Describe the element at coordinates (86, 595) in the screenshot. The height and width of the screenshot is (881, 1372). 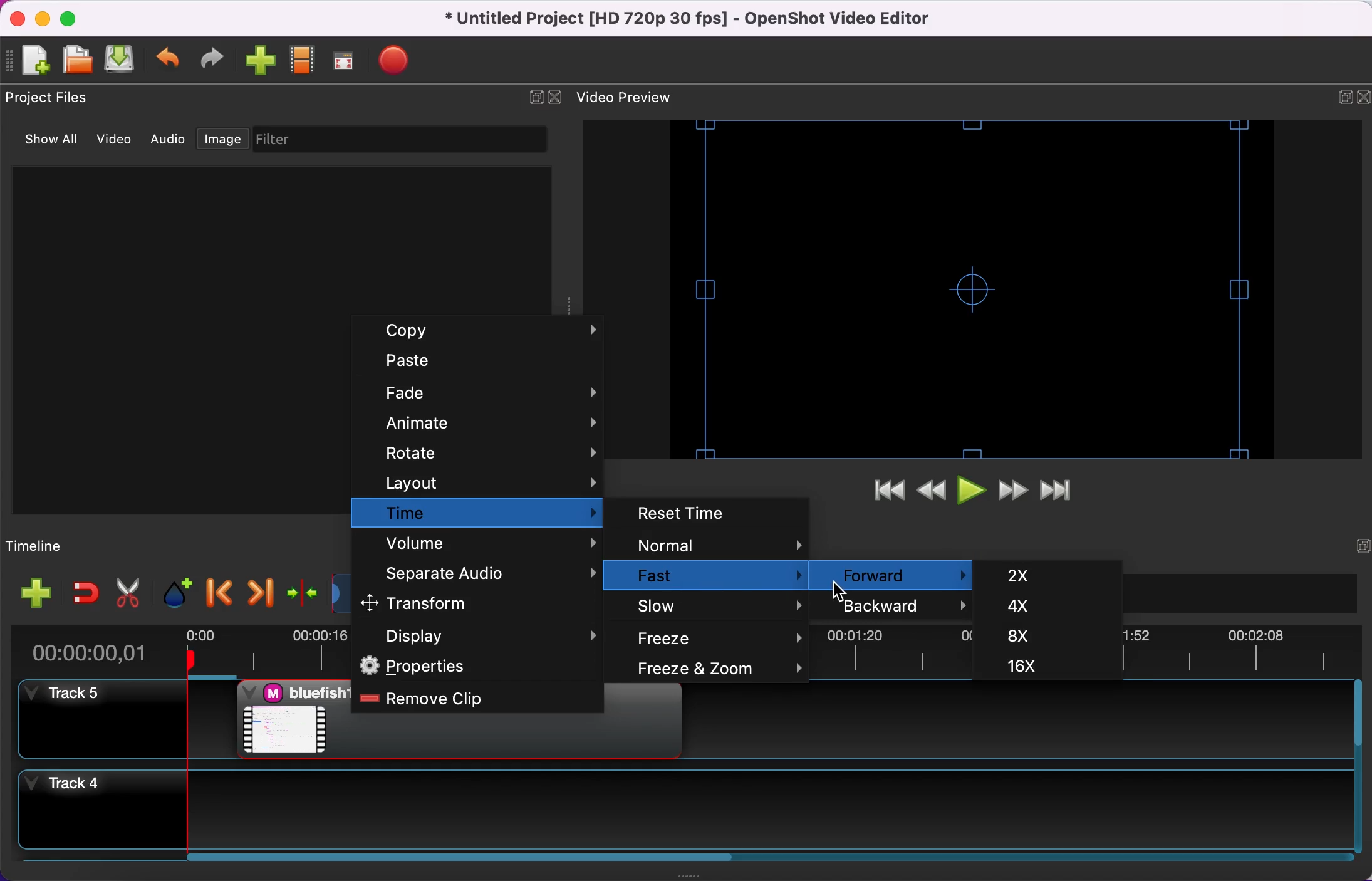
I see `enable snapping` at that location.